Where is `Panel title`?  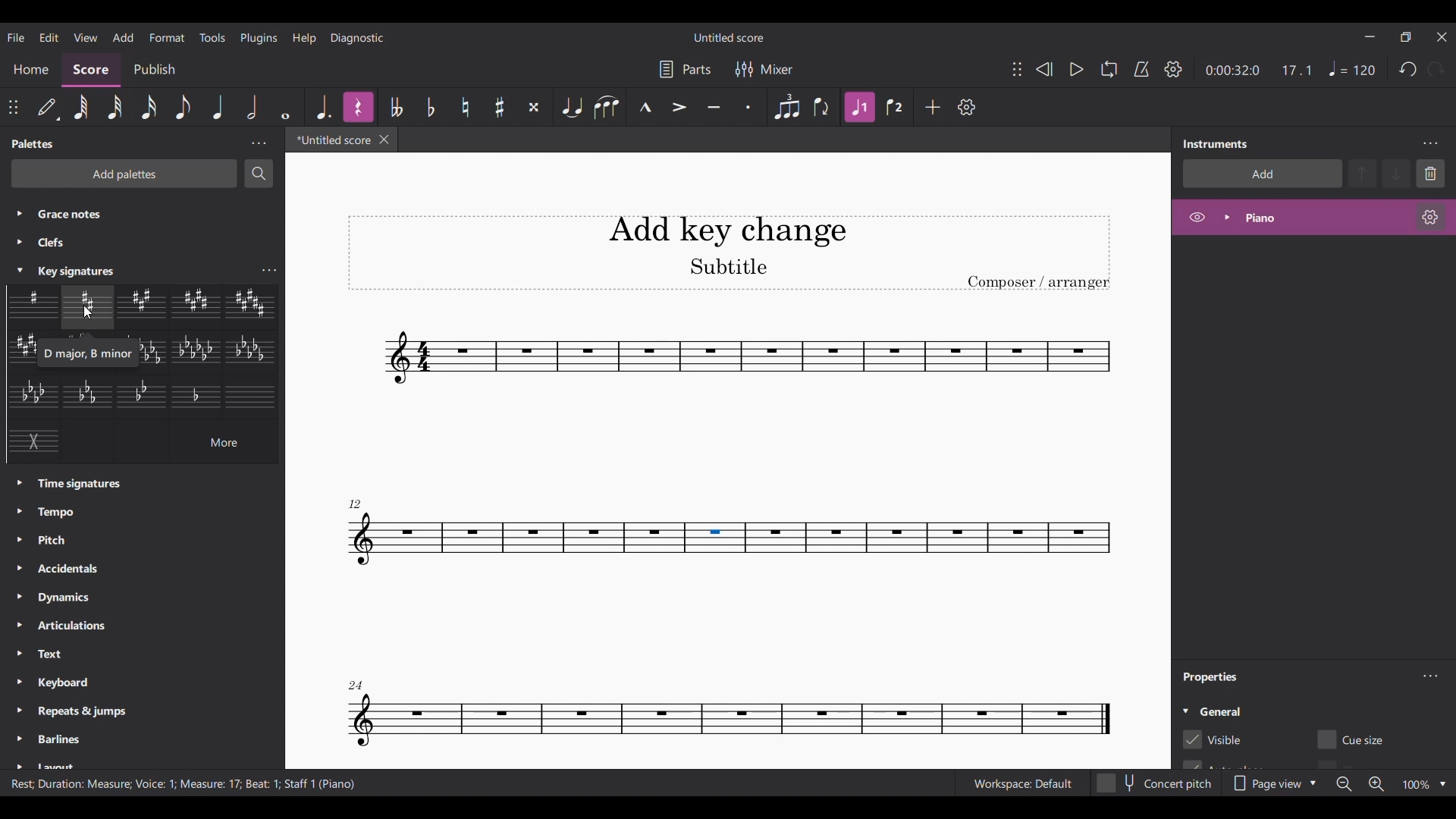 Panel title is located at coordinates (36, 143).